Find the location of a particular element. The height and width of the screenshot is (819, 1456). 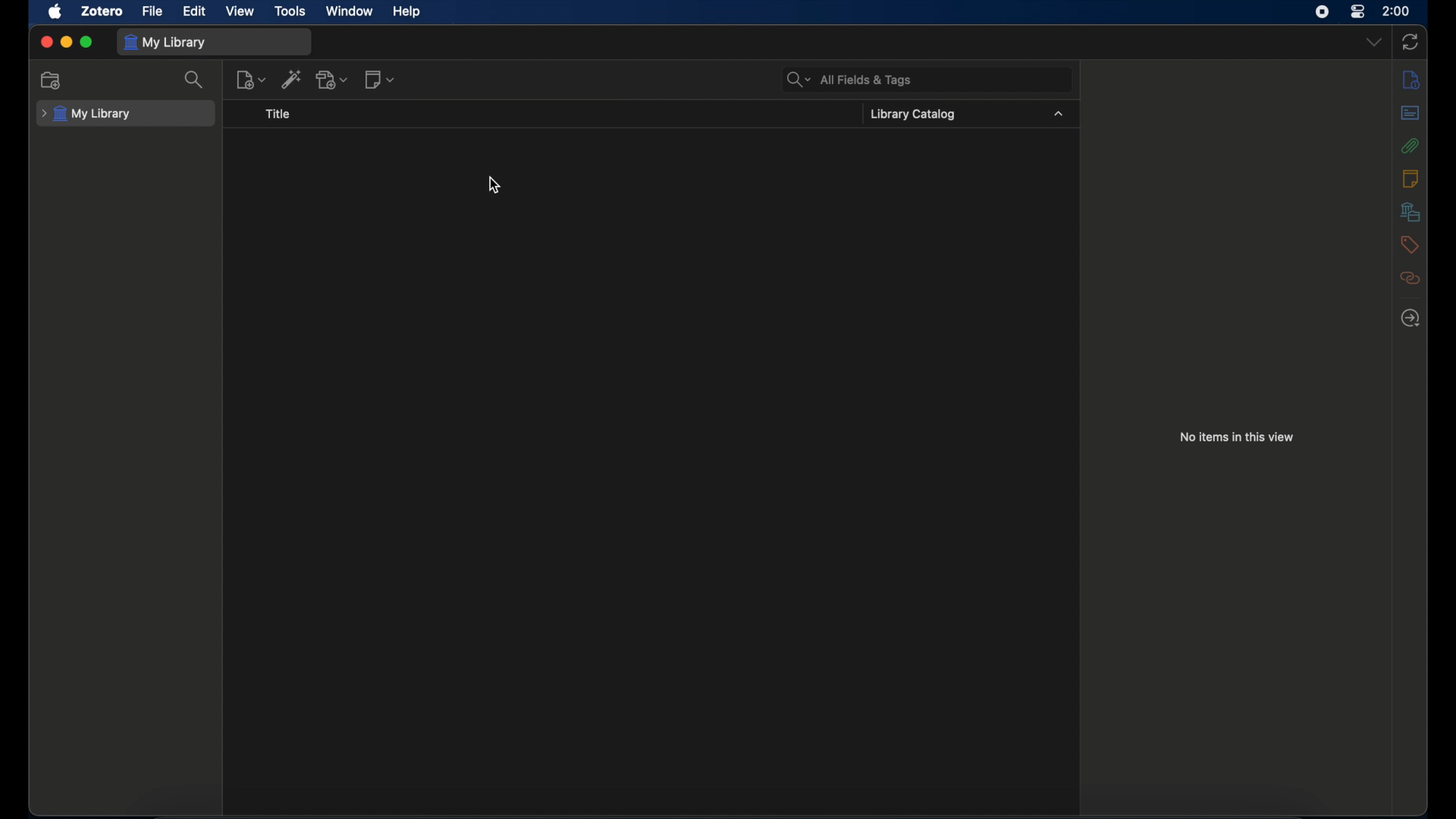

info is located at coordinates (1410, 80).